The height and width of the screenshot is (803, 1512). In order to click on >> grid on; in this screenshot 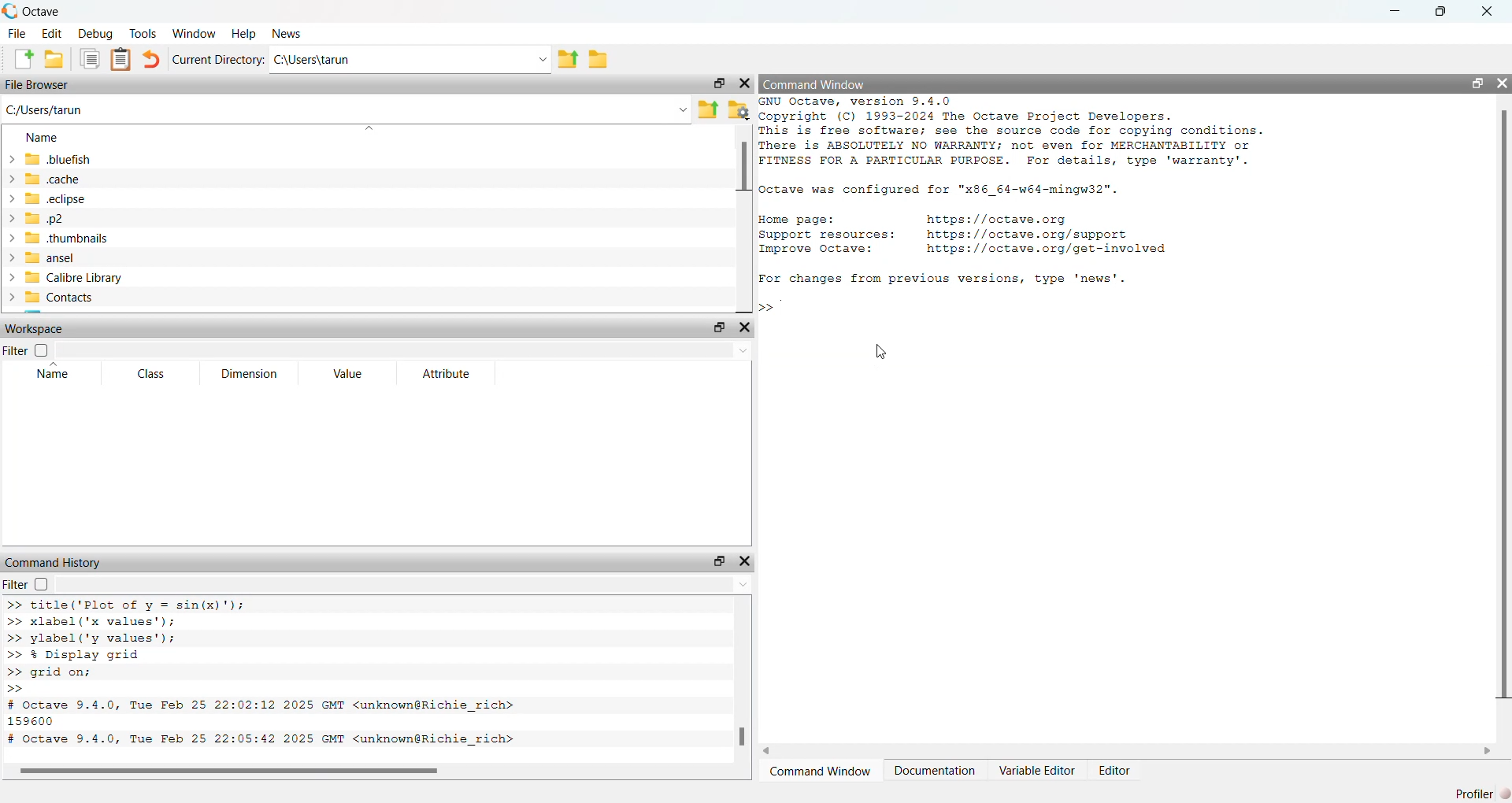, I will do `click(49, 673)`.